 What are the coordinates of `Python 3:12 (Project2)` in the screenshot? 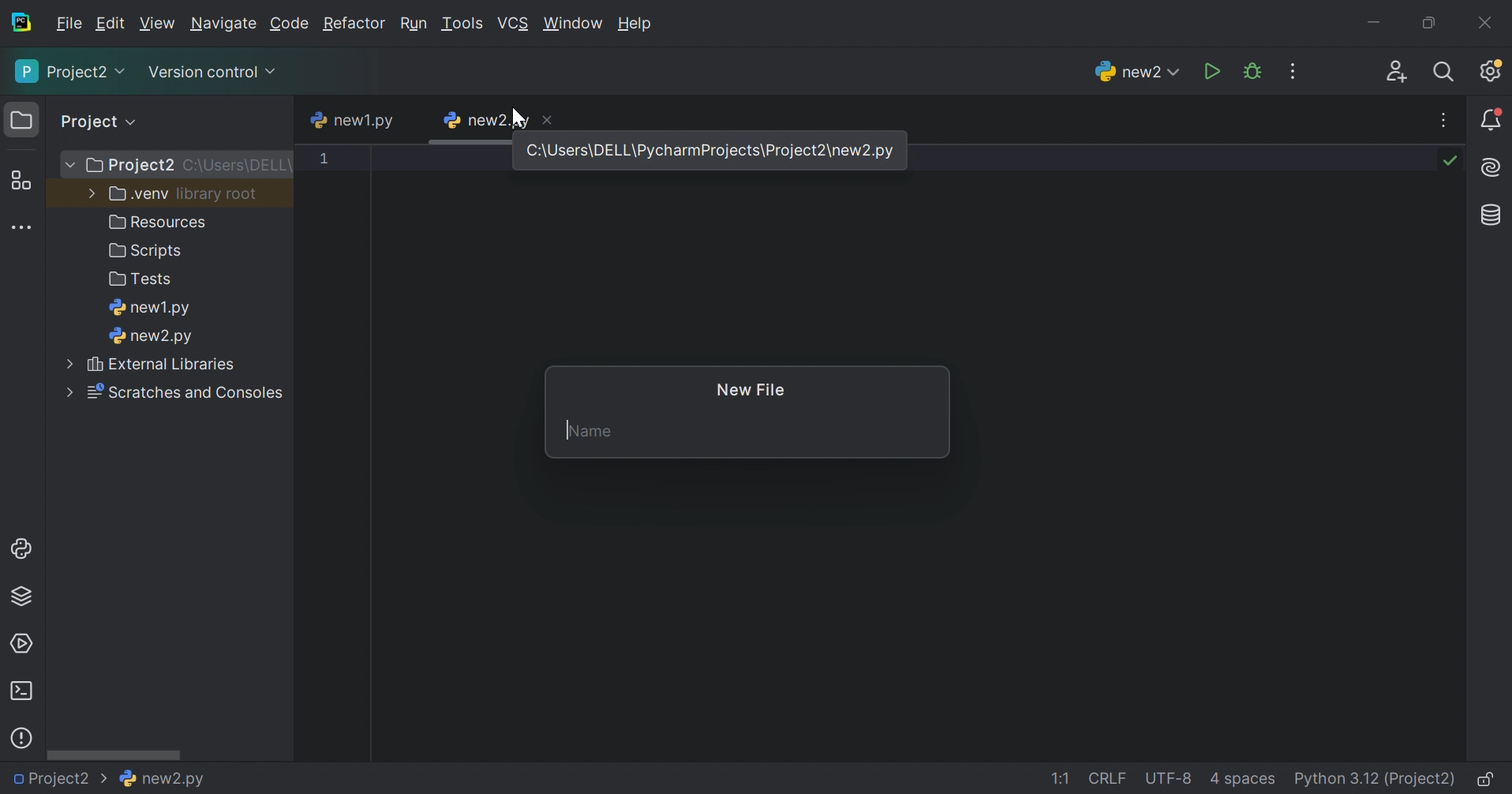 It's located at (1376, 780).